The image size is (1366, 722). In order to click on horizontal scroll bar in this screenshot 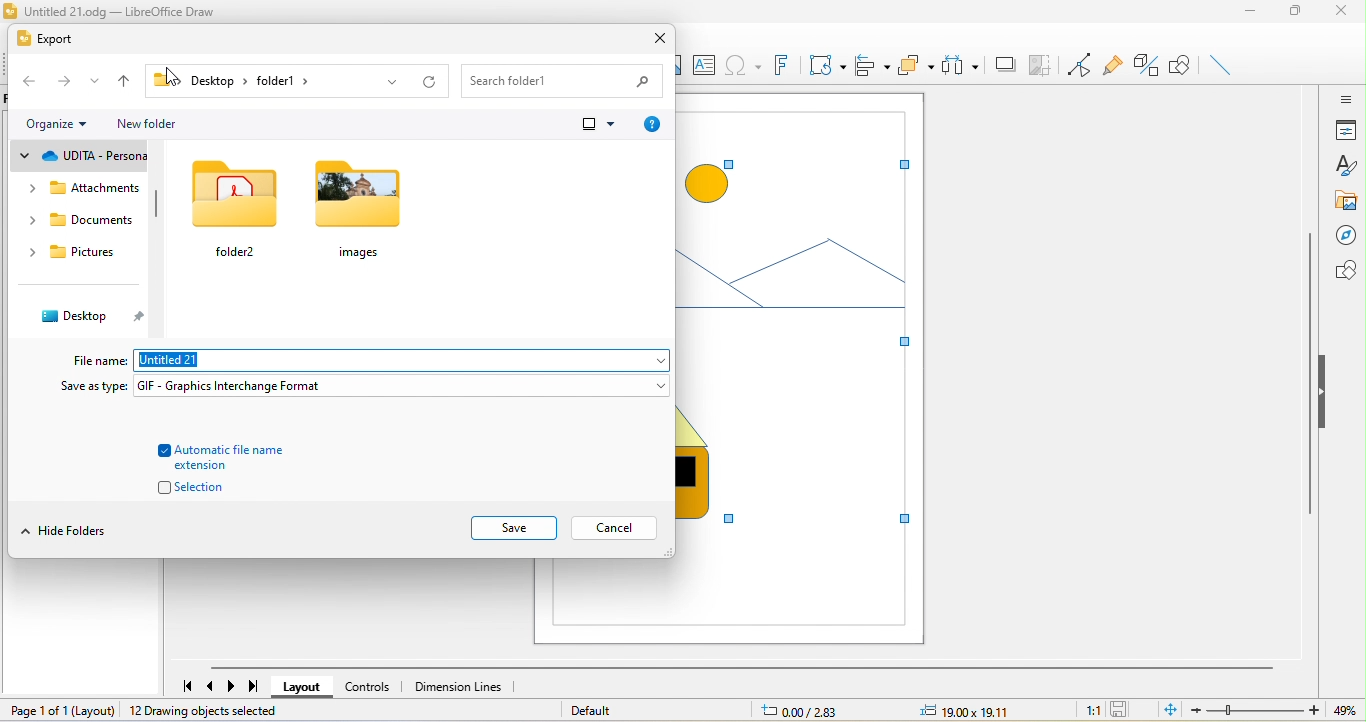, I will do `click(740, 668)`.